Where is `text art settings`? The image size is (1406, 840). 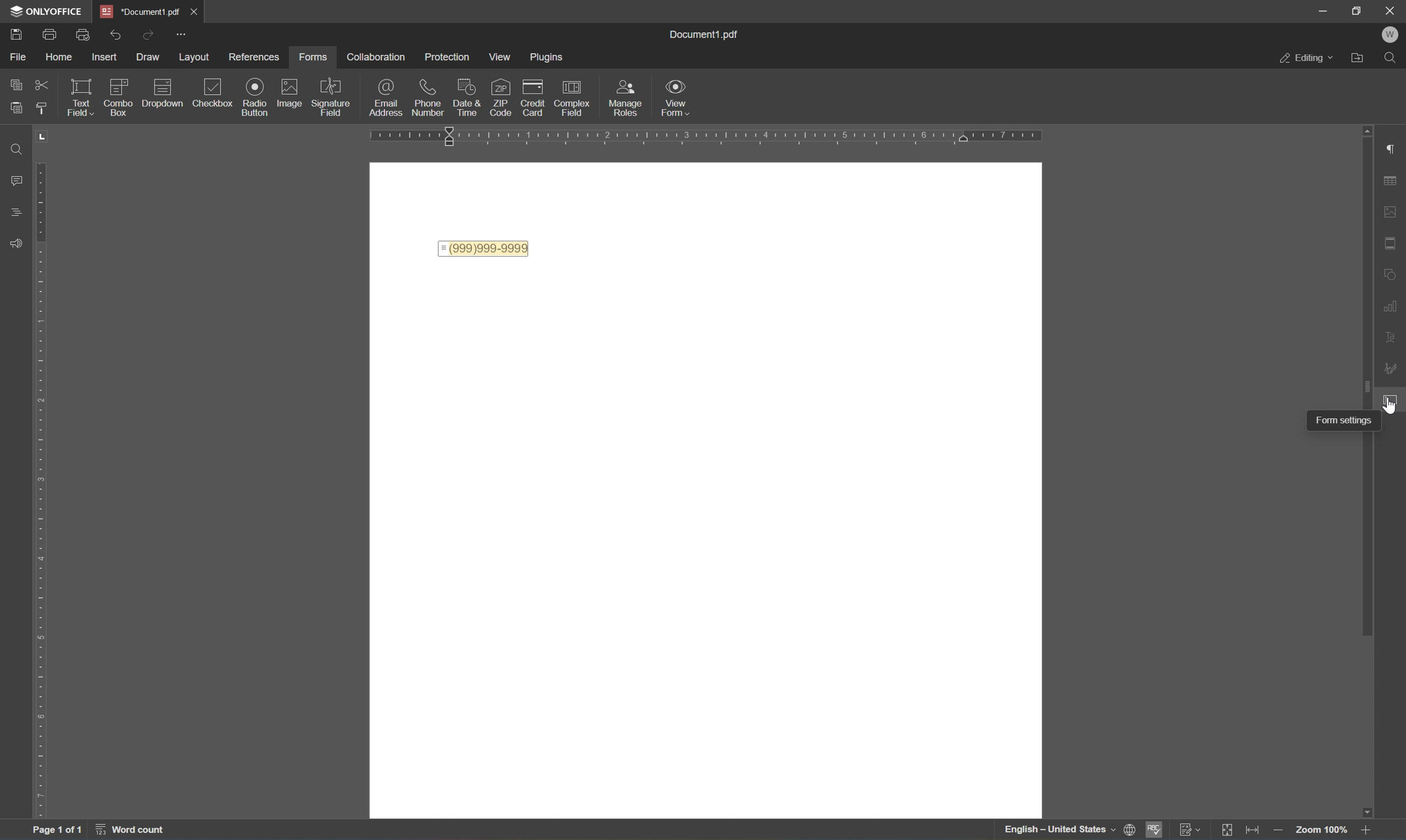
text art settings is located at coordinates (1395, 336).